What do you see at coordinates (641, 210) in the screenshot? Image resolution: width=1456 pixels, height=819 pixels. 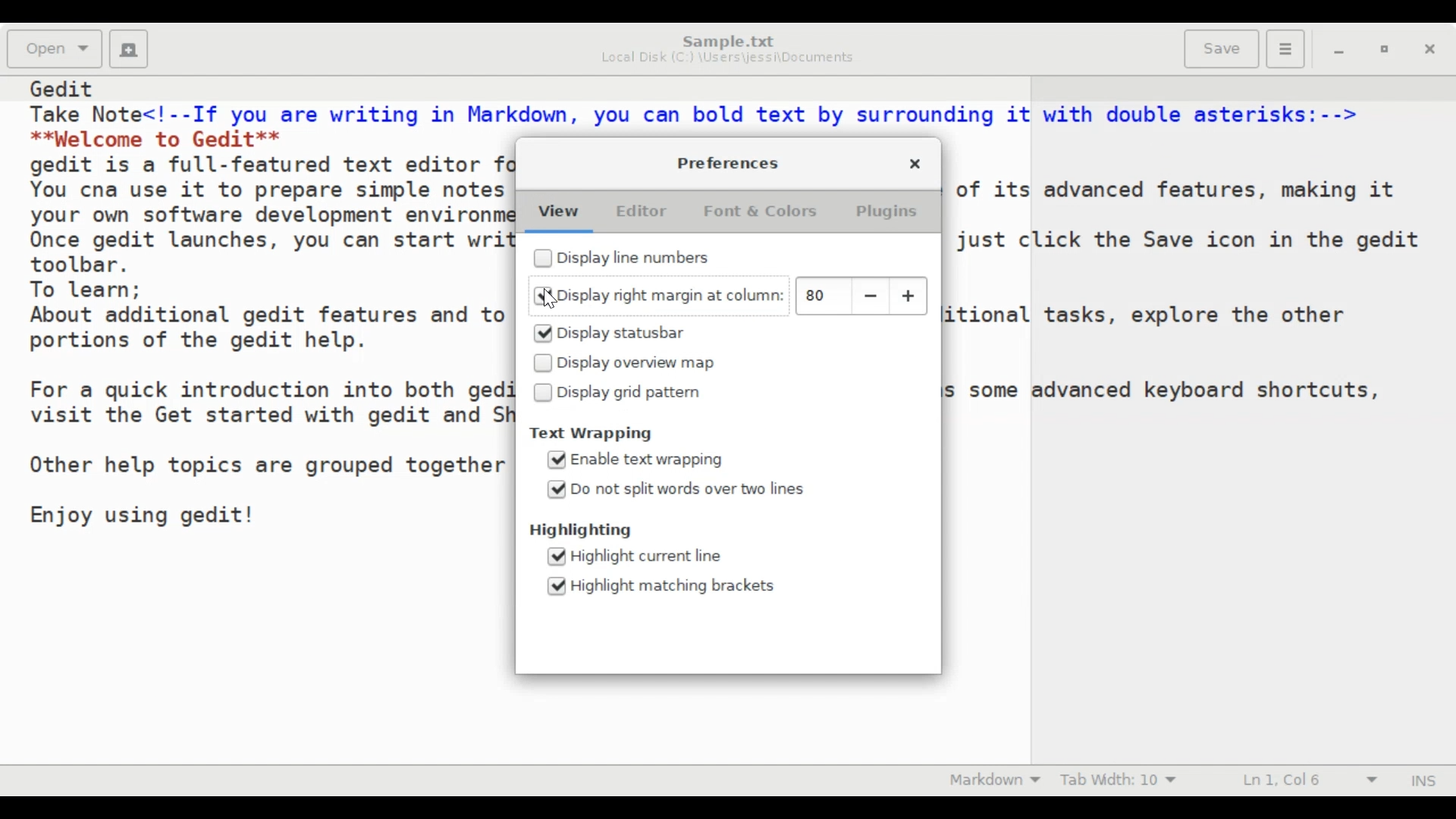 I see `Editor` at bounding box center [641, 210].